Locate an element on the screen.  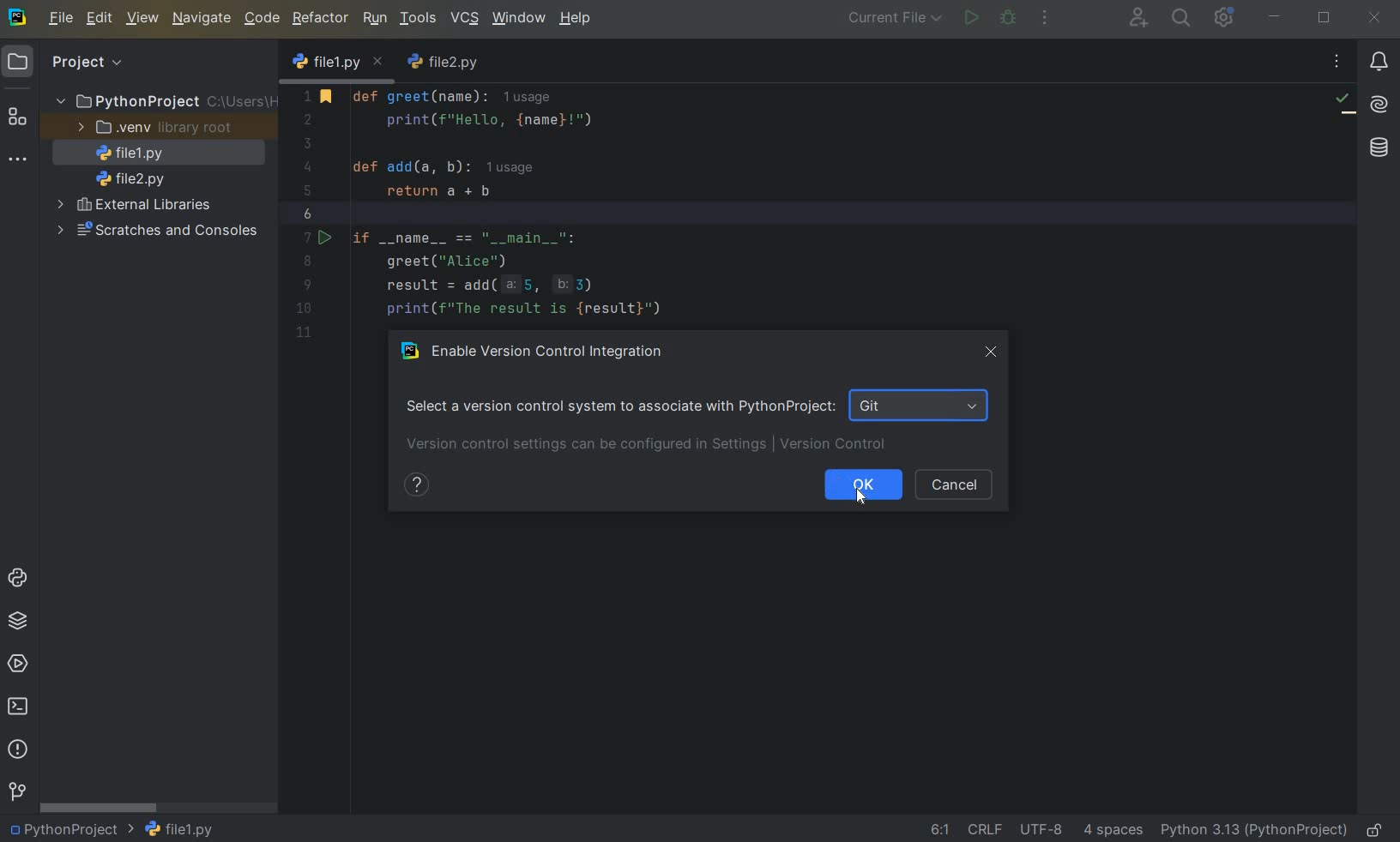
Project is located at coordinates (87, 63).